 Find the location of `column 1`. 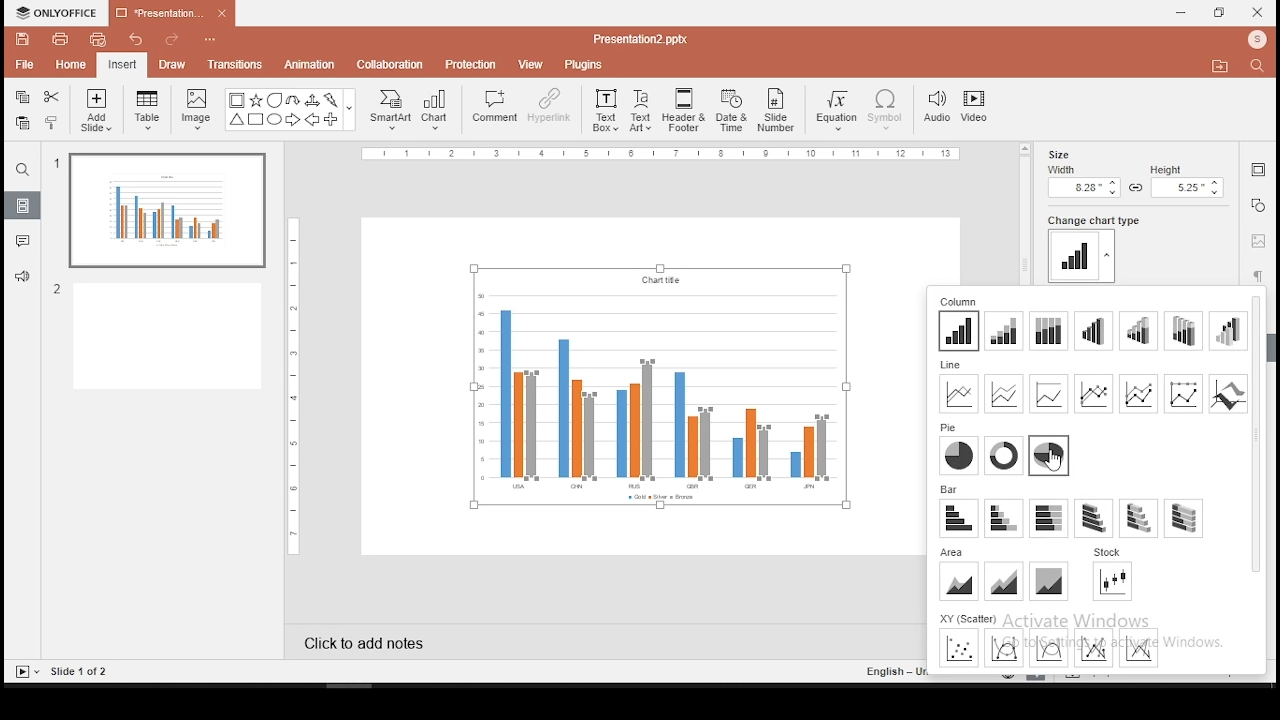

column 1 is located at coordinates (959, 331).